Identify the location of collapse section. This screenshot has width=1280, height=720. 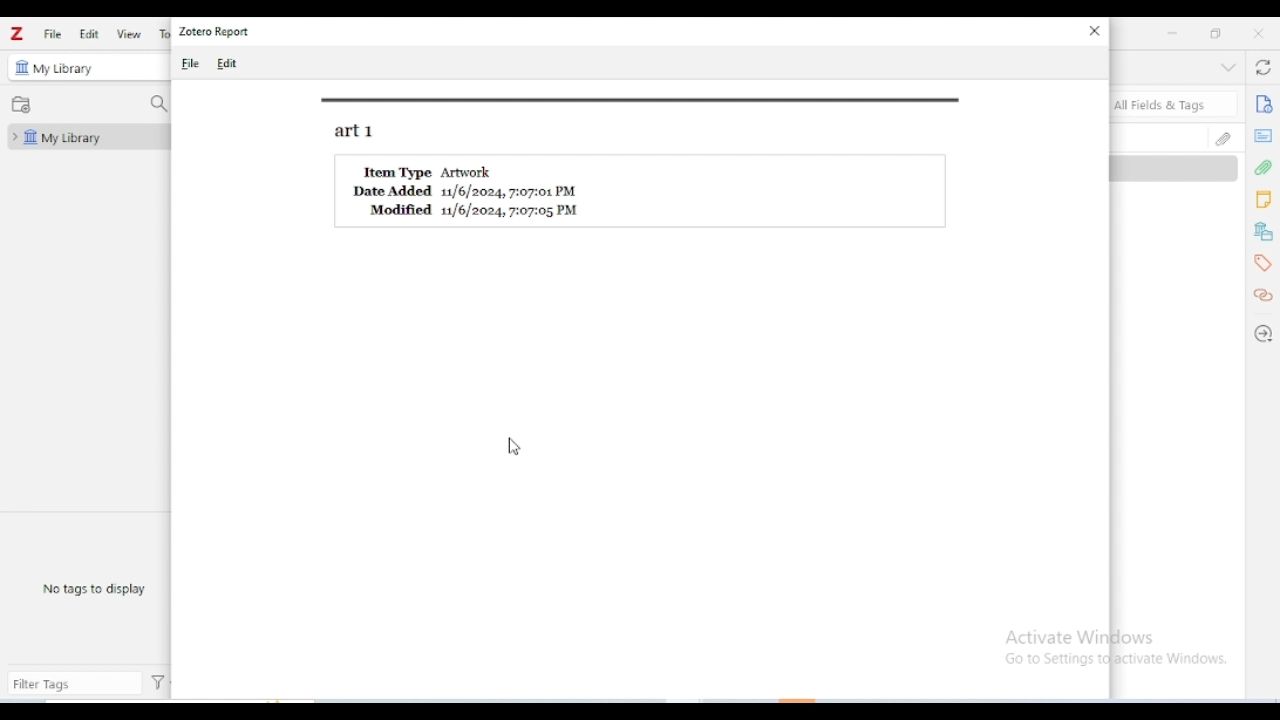
(1228, 67).